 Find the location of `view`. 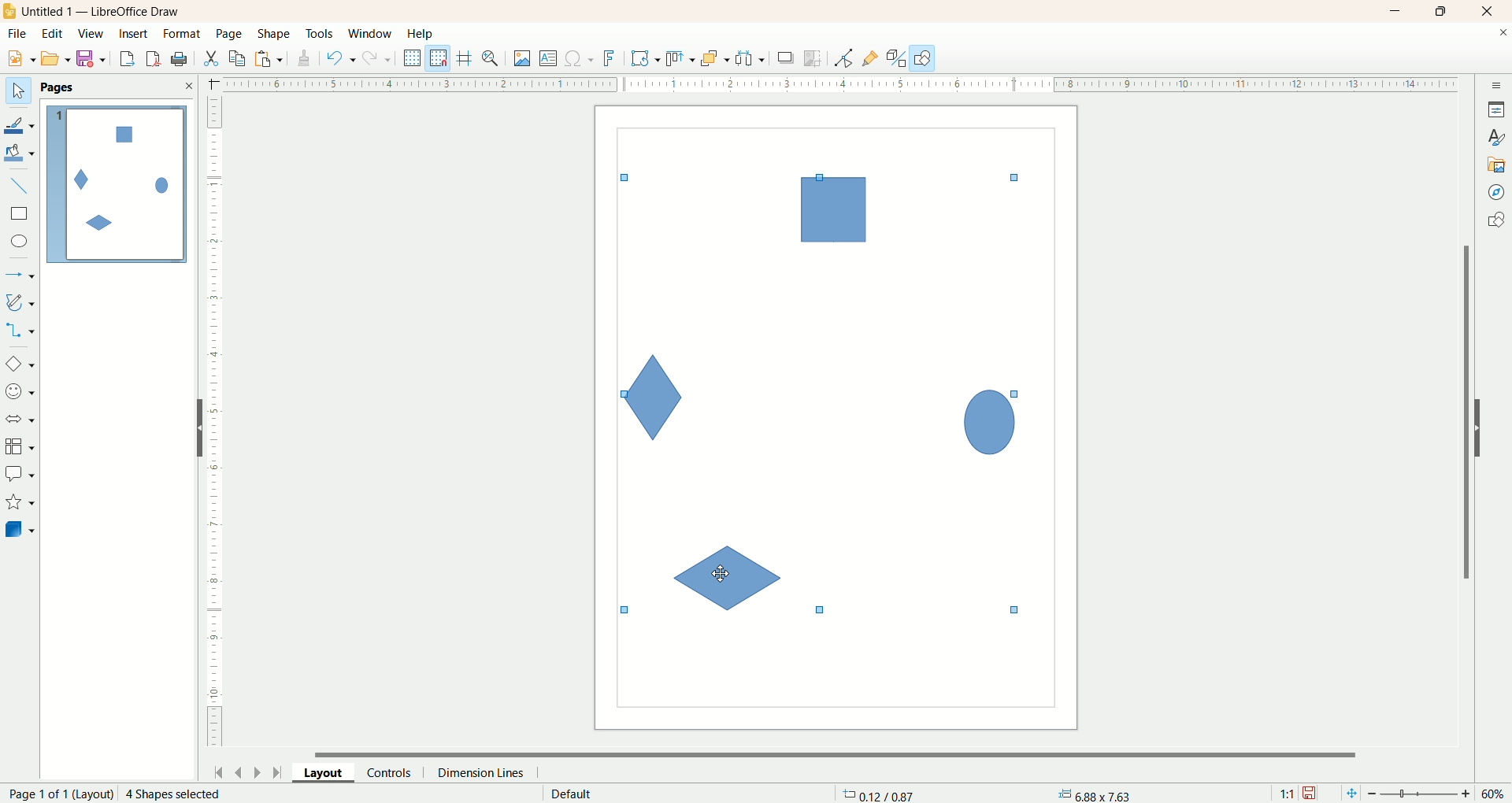

view is located at coordinates (92, 34).